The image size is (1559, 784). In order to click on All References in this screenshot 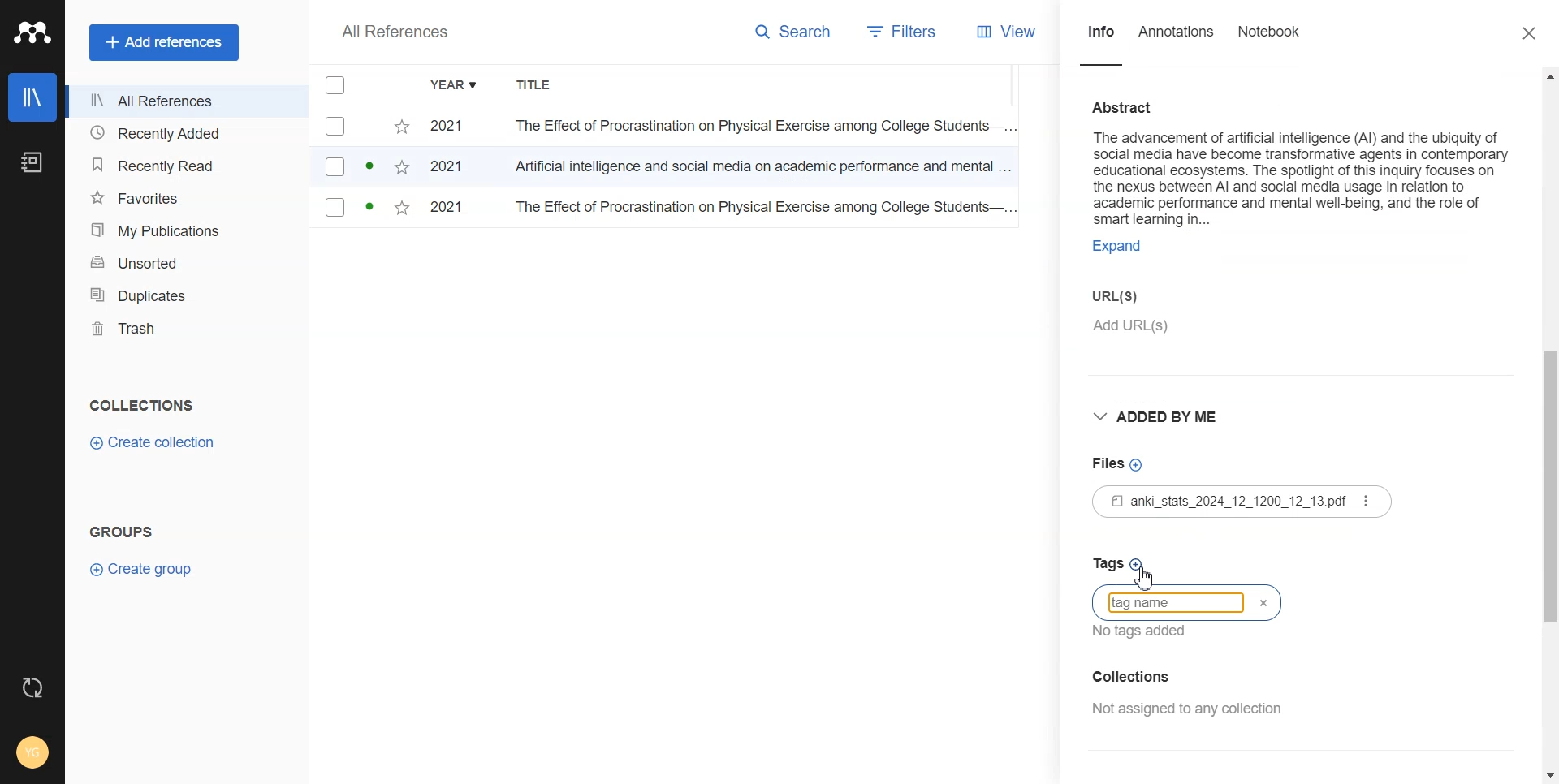, I will do `click(186, 103)`.